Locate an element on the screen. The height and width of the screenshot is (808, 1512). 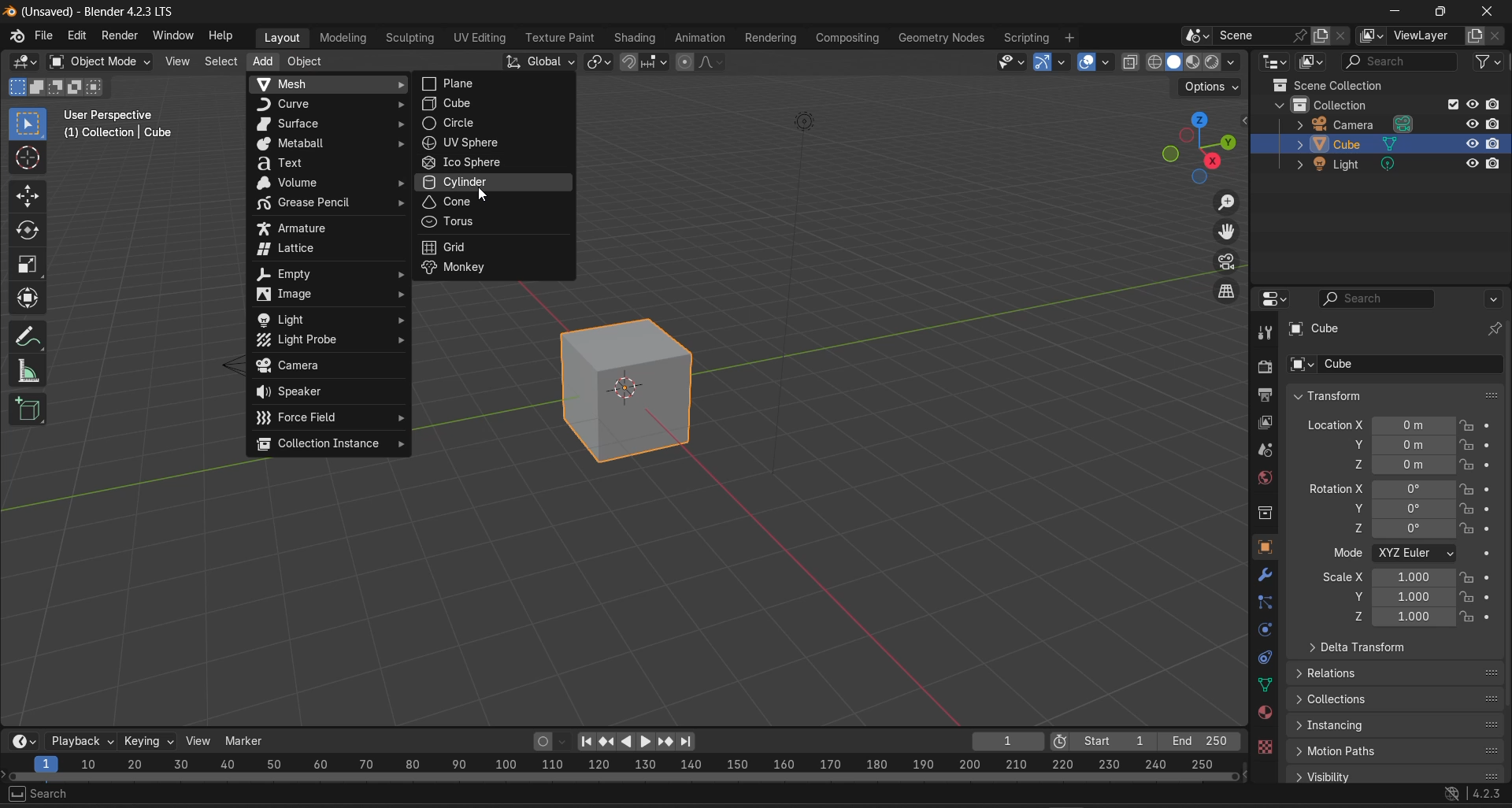
torus is located at coordinates (495, 225).